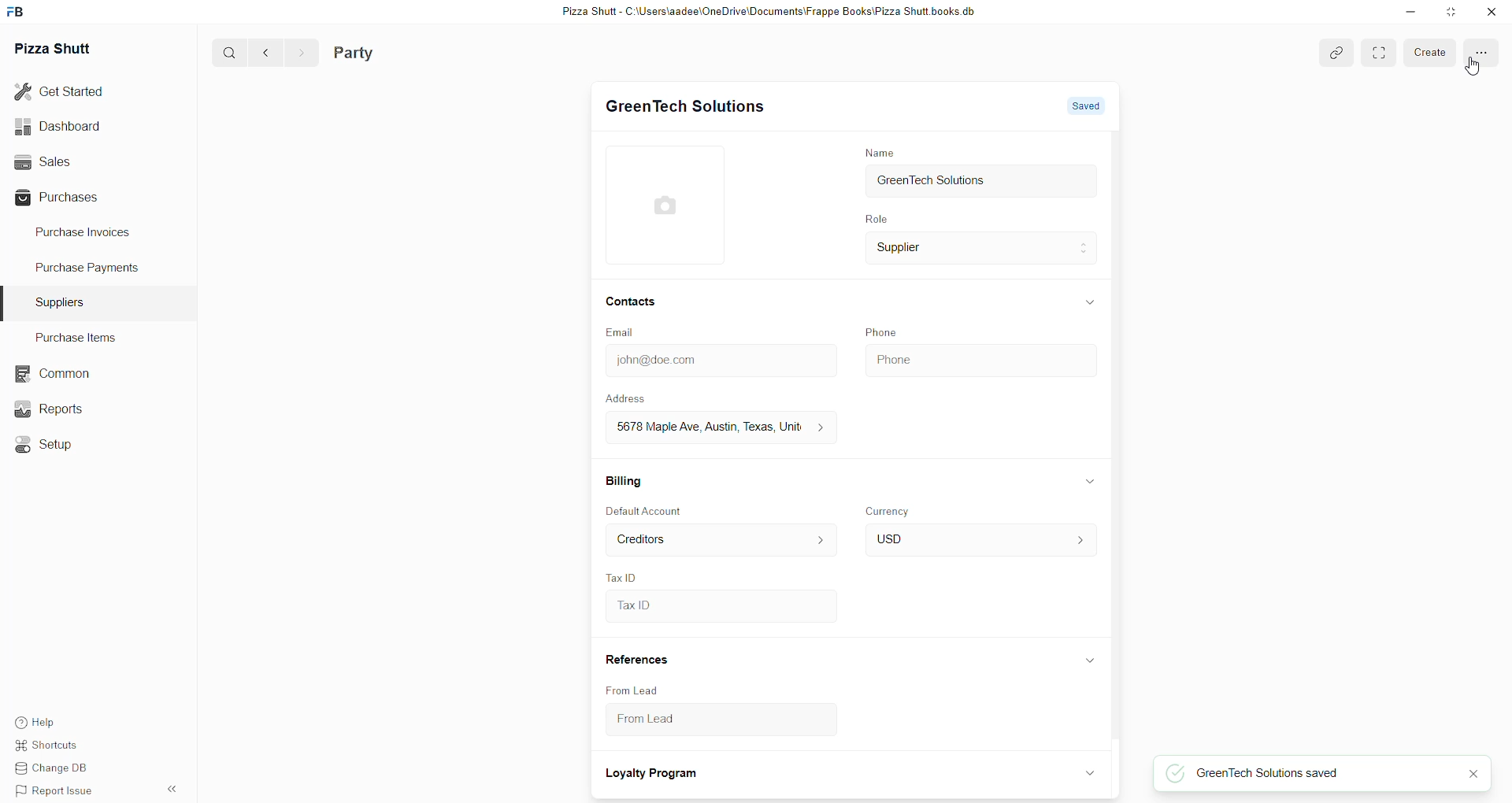 The height and width of the screenshot is (803, 1512). I want to click on Default Account, so click(647, 512).